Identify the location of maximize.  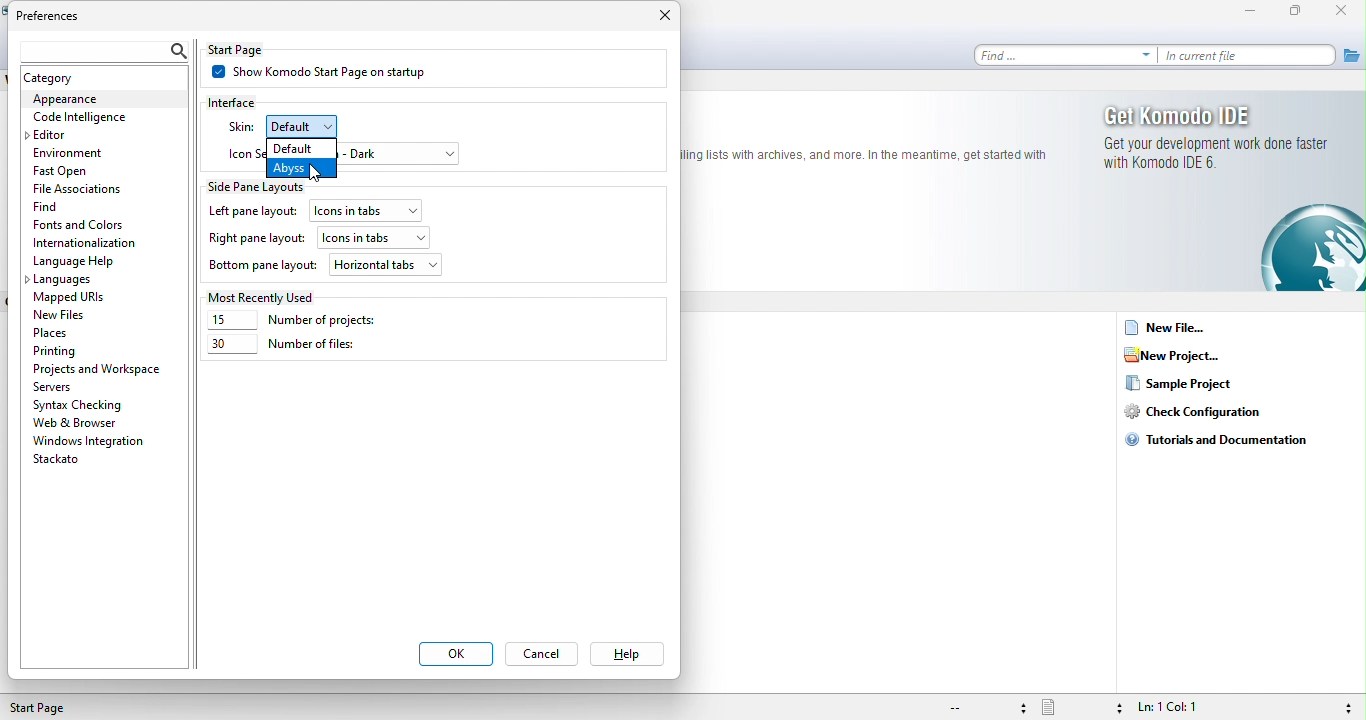
(1300, 12).